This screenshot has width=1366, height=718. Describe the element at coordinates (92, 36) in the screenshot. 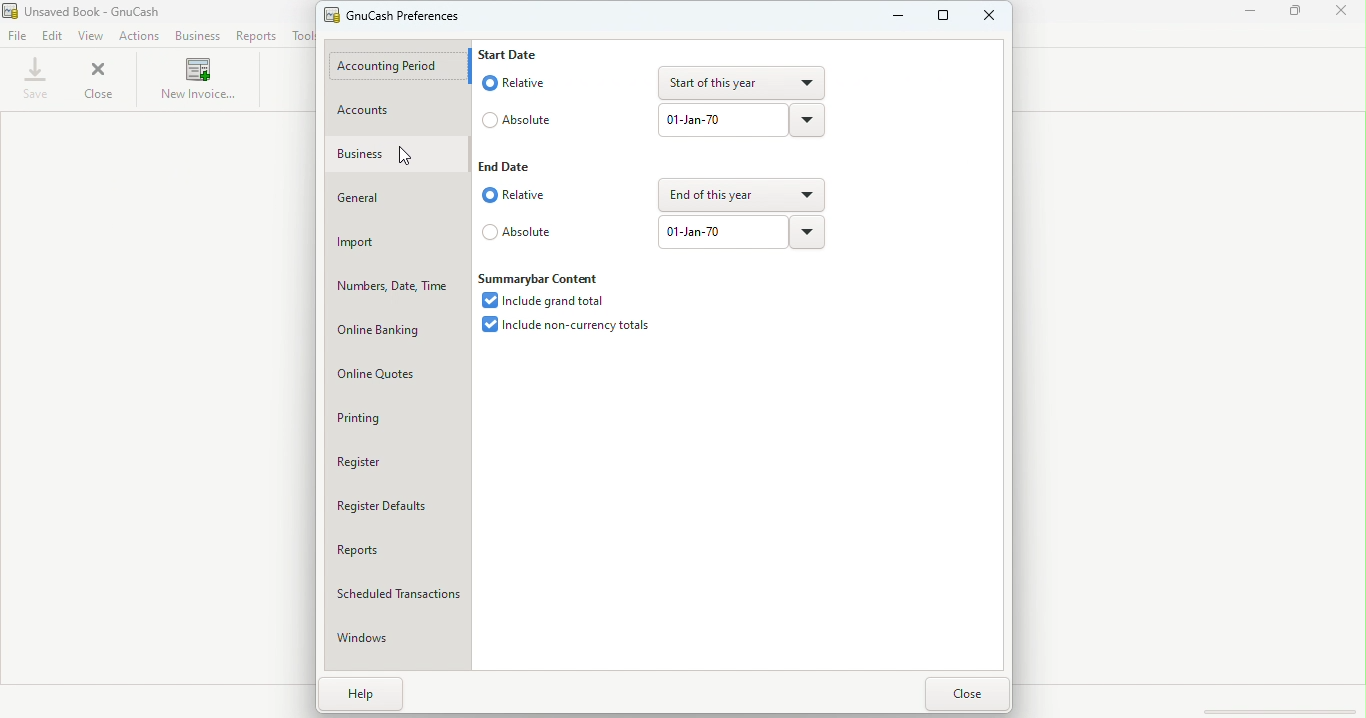

I see `View` at that location.